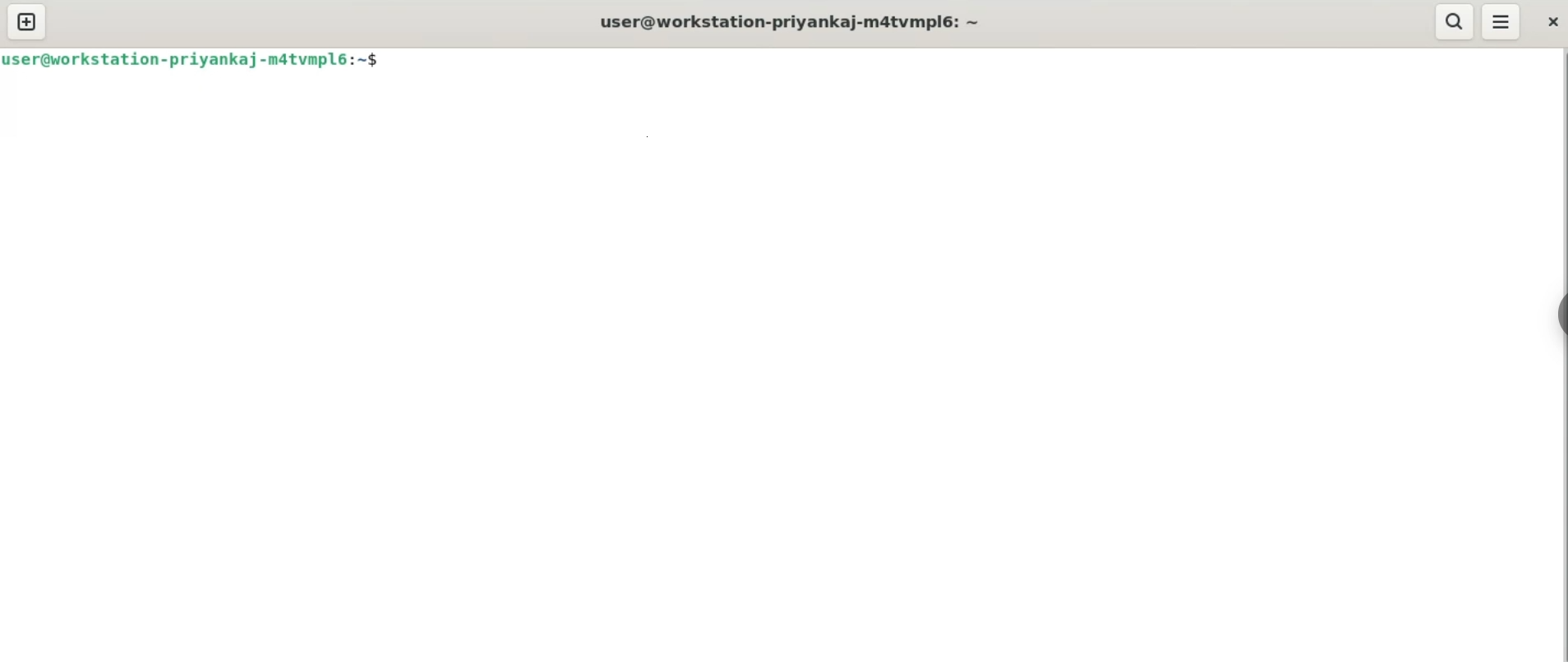 This screenshot has width=1568, height=662. Describe the element at coordinates (1553, 25) in the screenshot. I see `close` at that location.